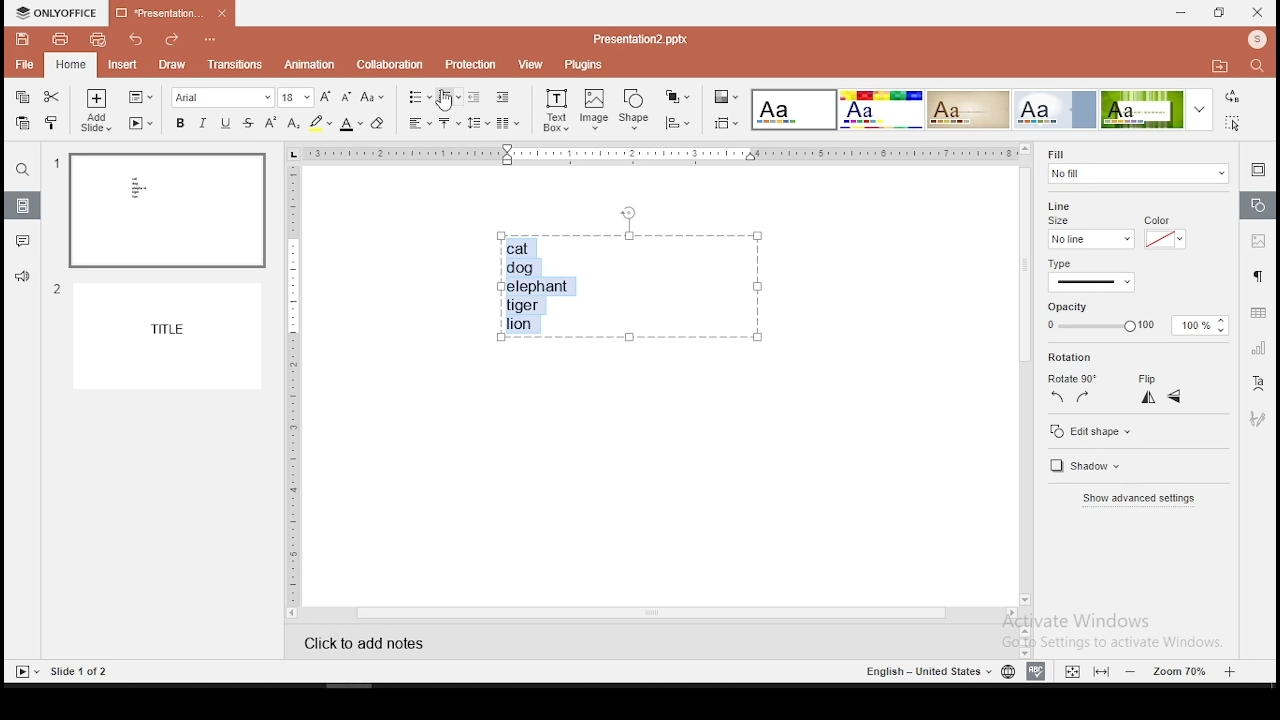  I want to click on rotation, so click(1071, 358).